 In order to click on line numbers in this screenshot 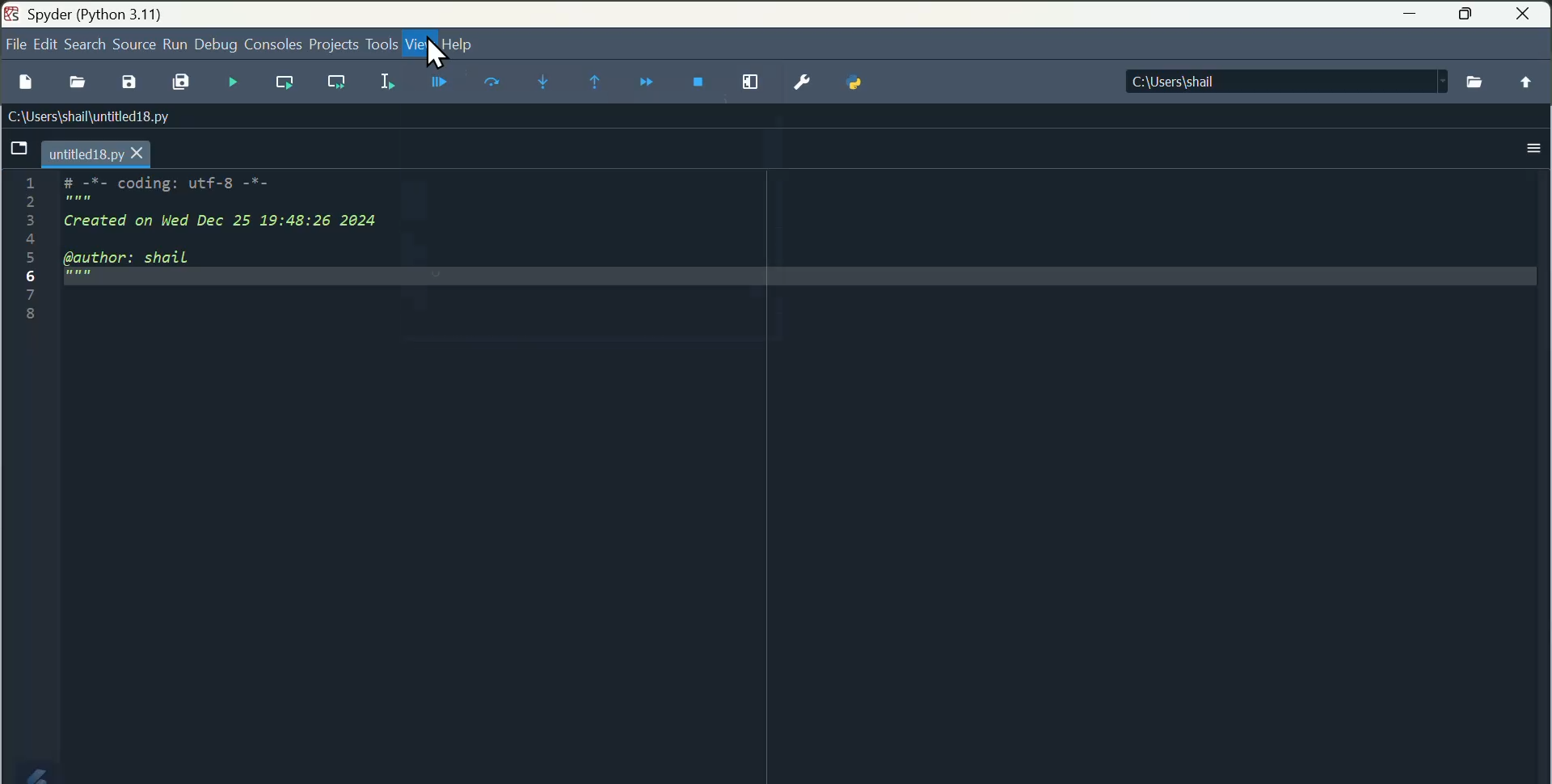, I will do `click(27, 252)`.